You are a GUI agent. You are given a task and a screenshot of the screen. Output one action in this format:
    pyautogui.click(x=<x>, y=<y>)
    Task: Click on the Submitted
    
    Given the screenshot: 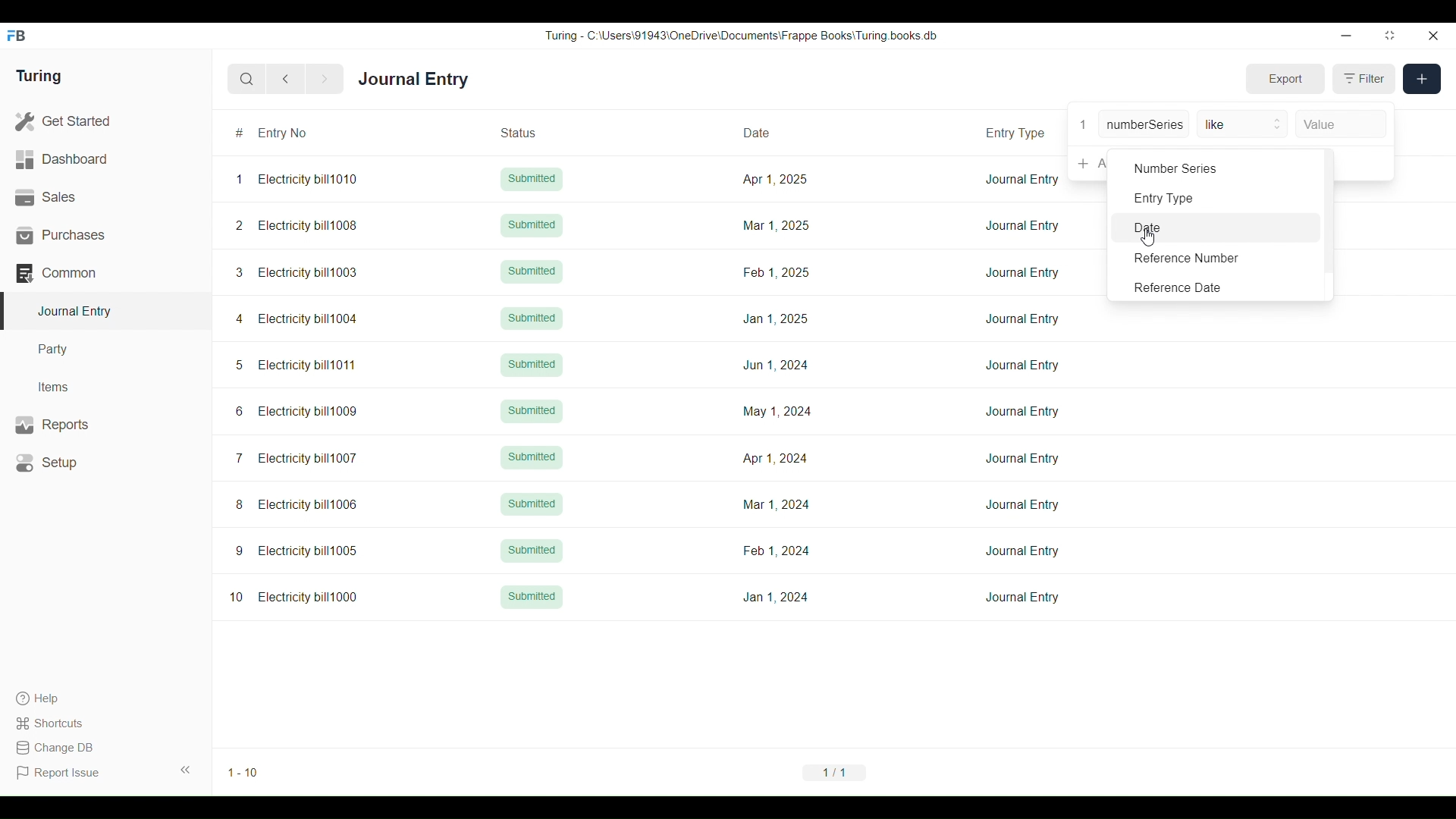 What is the action you would take?
    pyautogui.click(x=532, y=179)
    